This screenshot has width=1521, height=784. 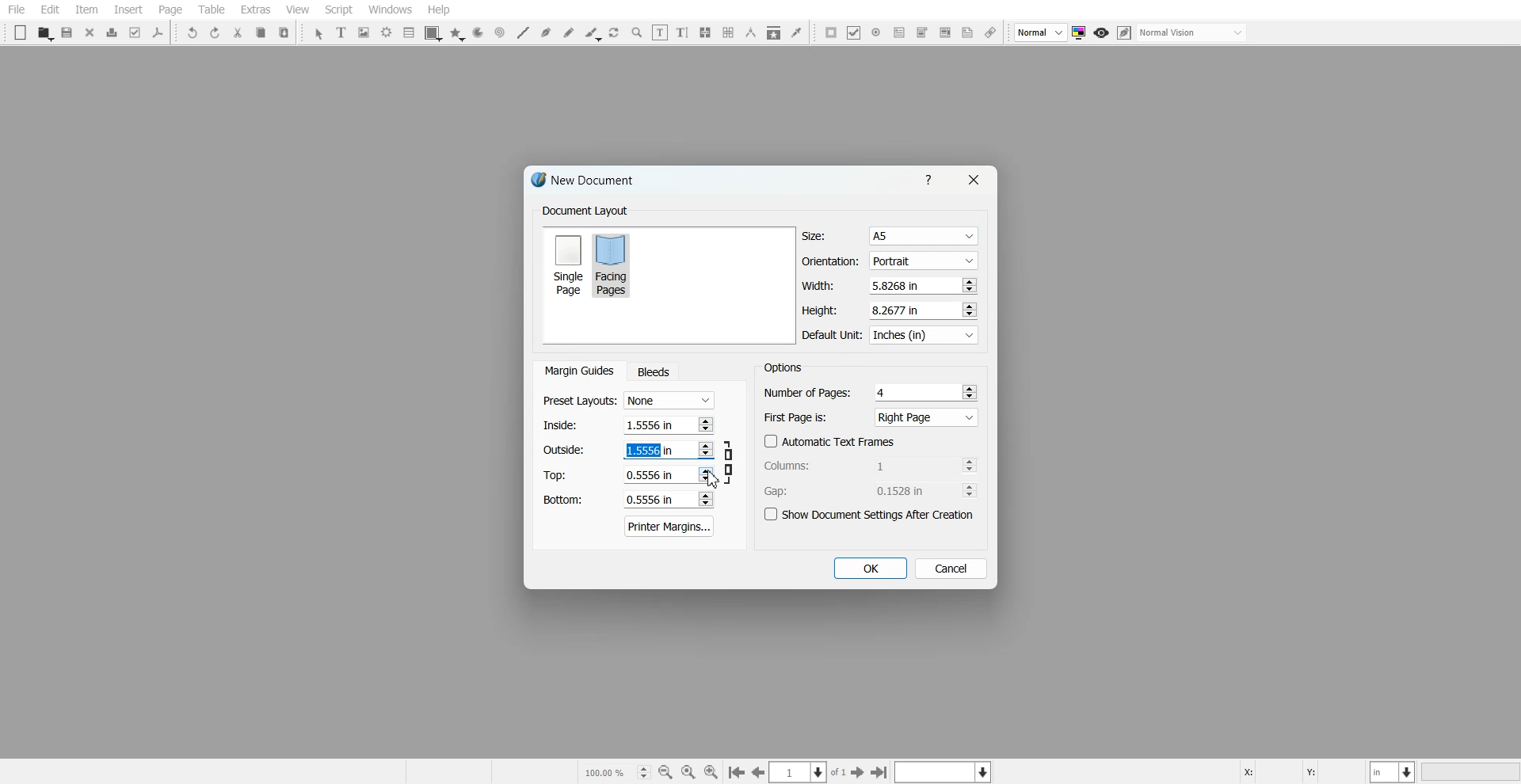 I want to click on Page, so click(x=170, y=10).